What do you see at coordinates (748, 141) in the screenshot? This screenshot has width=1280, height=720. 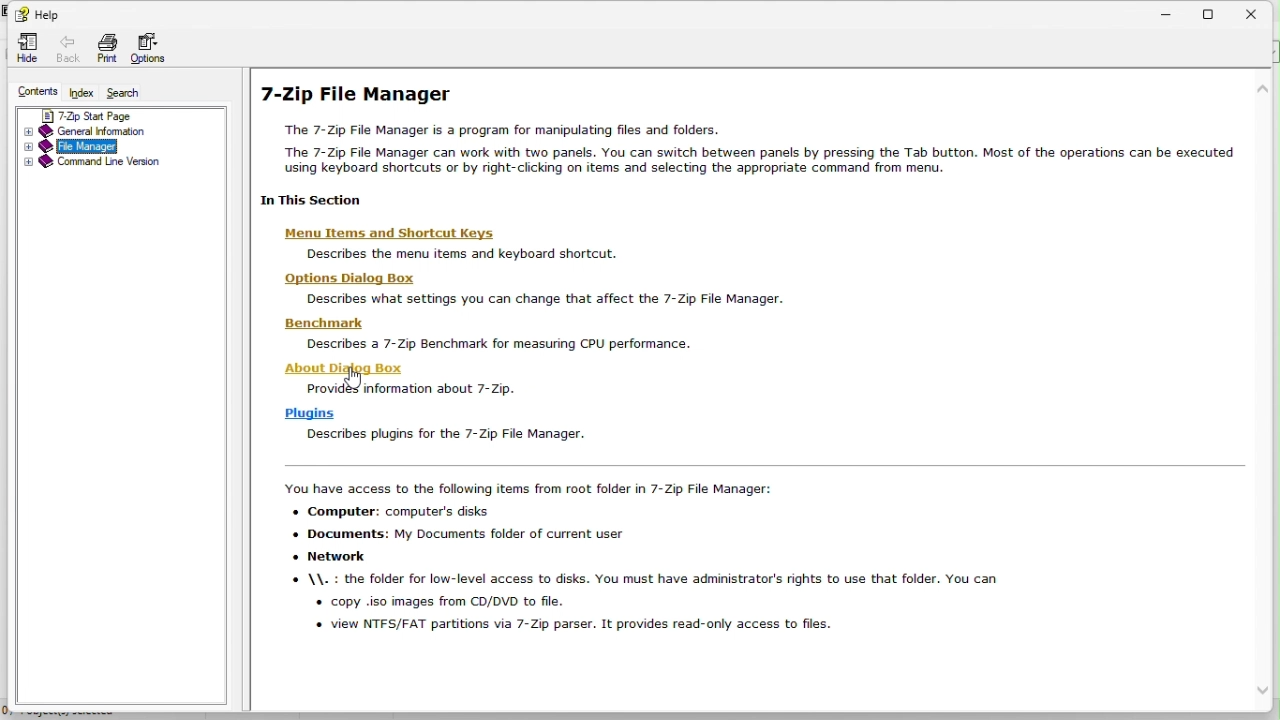 I see `7-Zip File Manager
The 7-Zip File Manager is a program for manipulating files and folders.
The 7-Zip File Manager can work with two panels. You can switch between panels by pressing the Tab button. Most of the operations can be executed
using keyboard shortcuts or by right-clicking on items and selecting the appropriate command from menu.

In This Section` at bounding box center [748, 141].